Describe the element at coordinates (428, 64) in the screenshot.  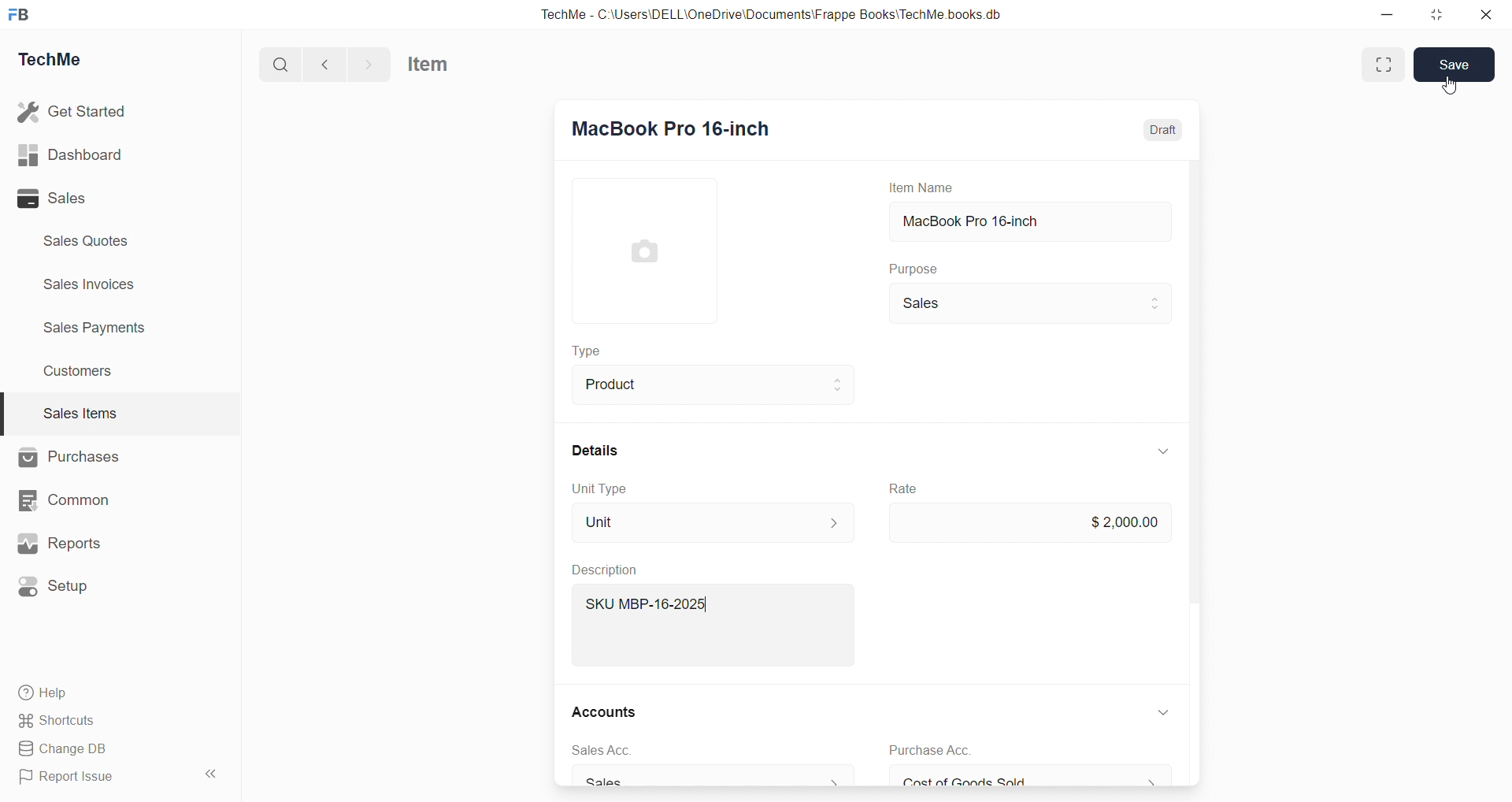
I see `Item` at that location.